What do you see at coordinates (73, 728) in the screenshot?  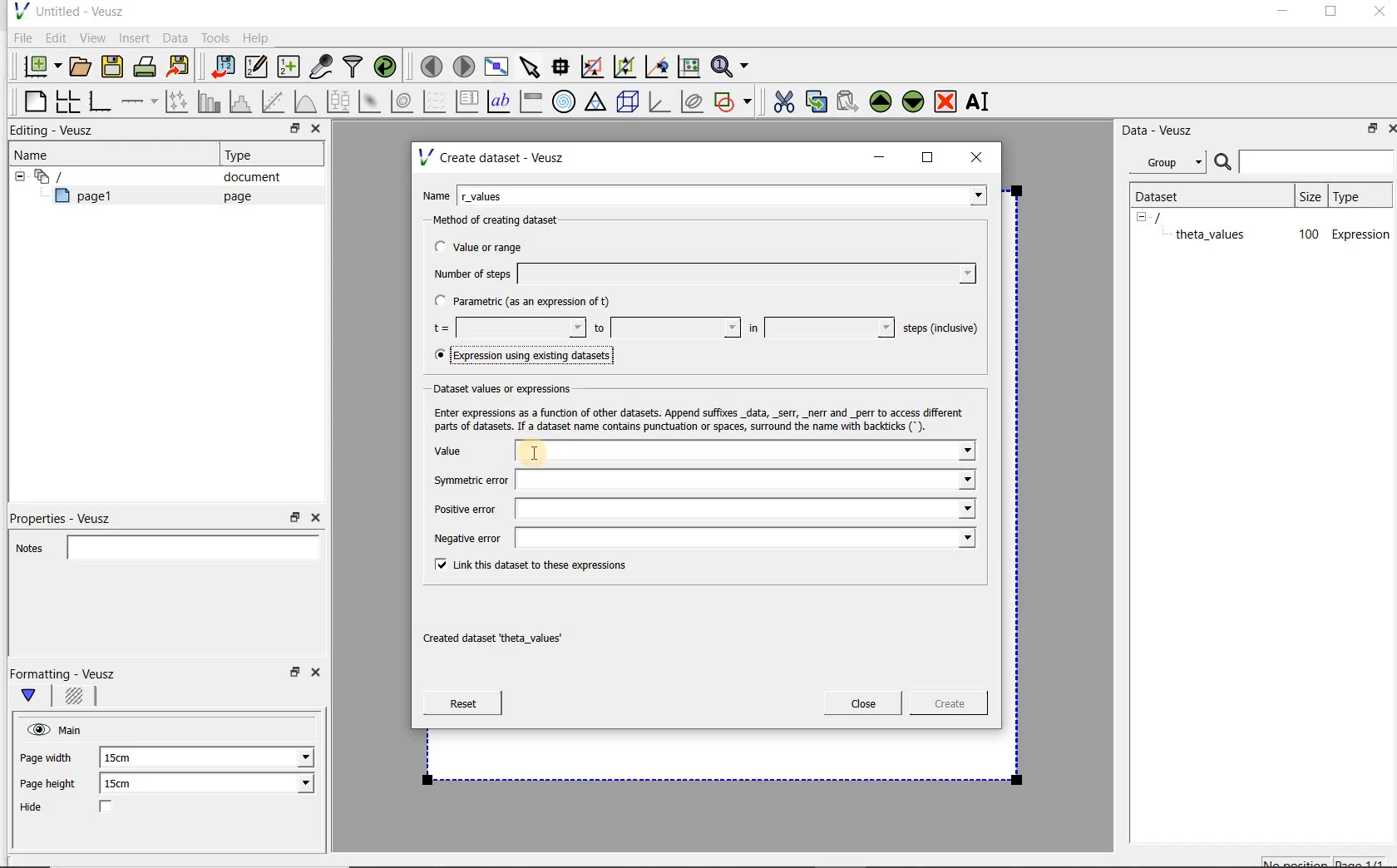 I see `Main` at bounding box center [73, 728].